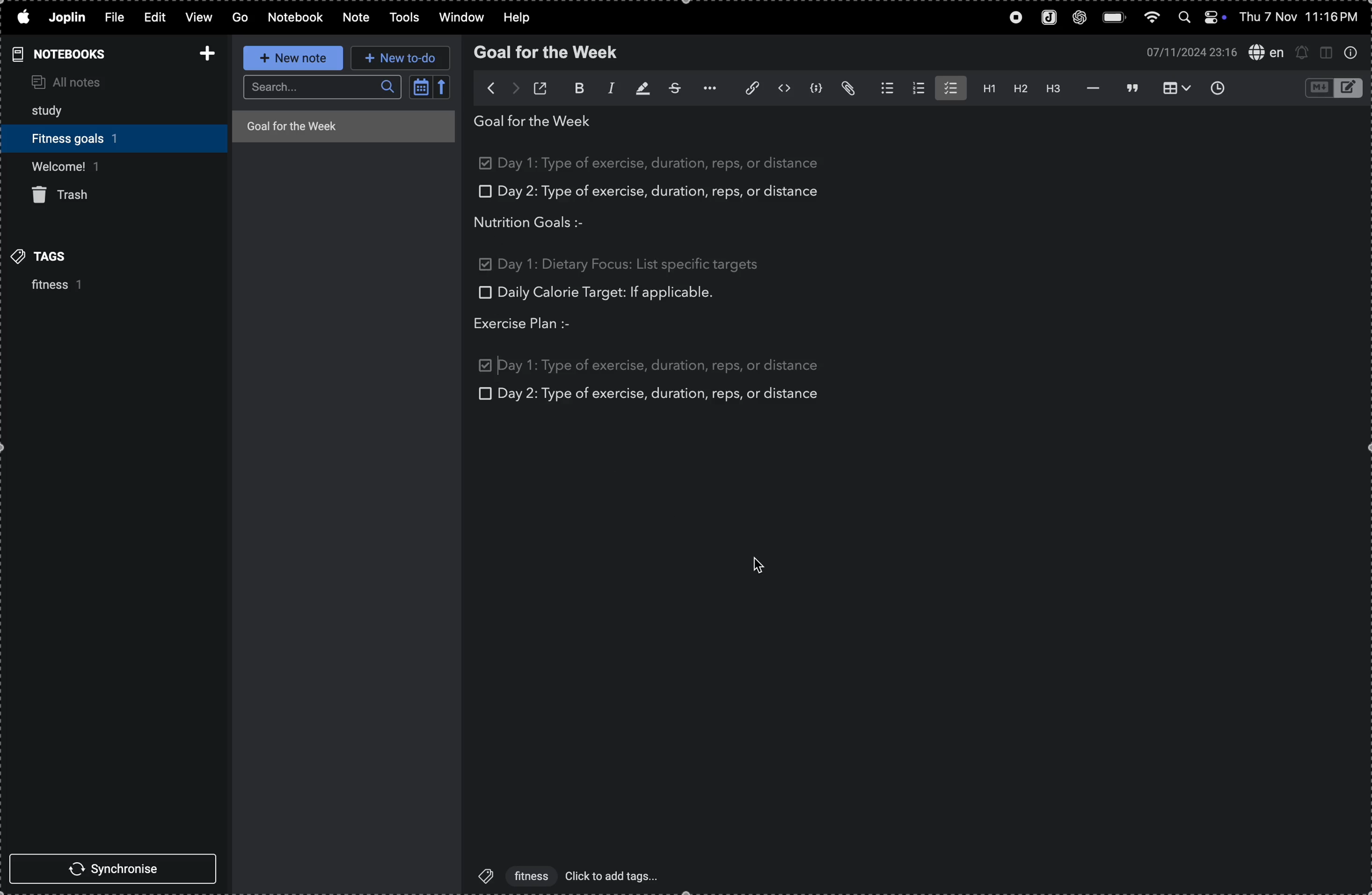  I want to click on goal for the week, so click(342, 125).